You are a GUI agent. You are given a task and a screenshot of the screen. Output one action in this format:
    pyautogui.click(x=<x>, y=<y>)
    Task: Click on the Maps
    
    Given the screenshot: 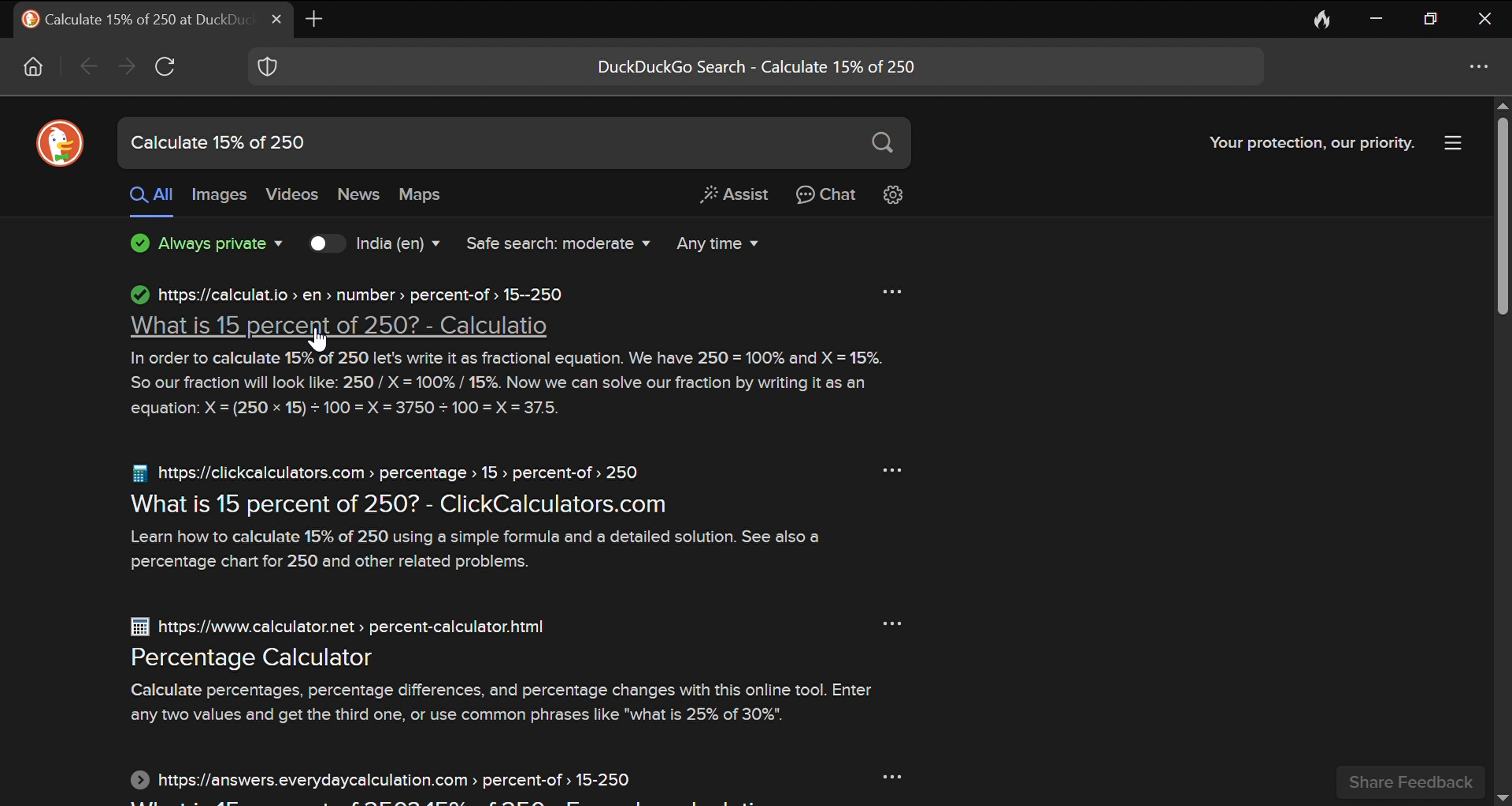 What is the action you would take?
    pyautogui.click(x=418, y=194)
    